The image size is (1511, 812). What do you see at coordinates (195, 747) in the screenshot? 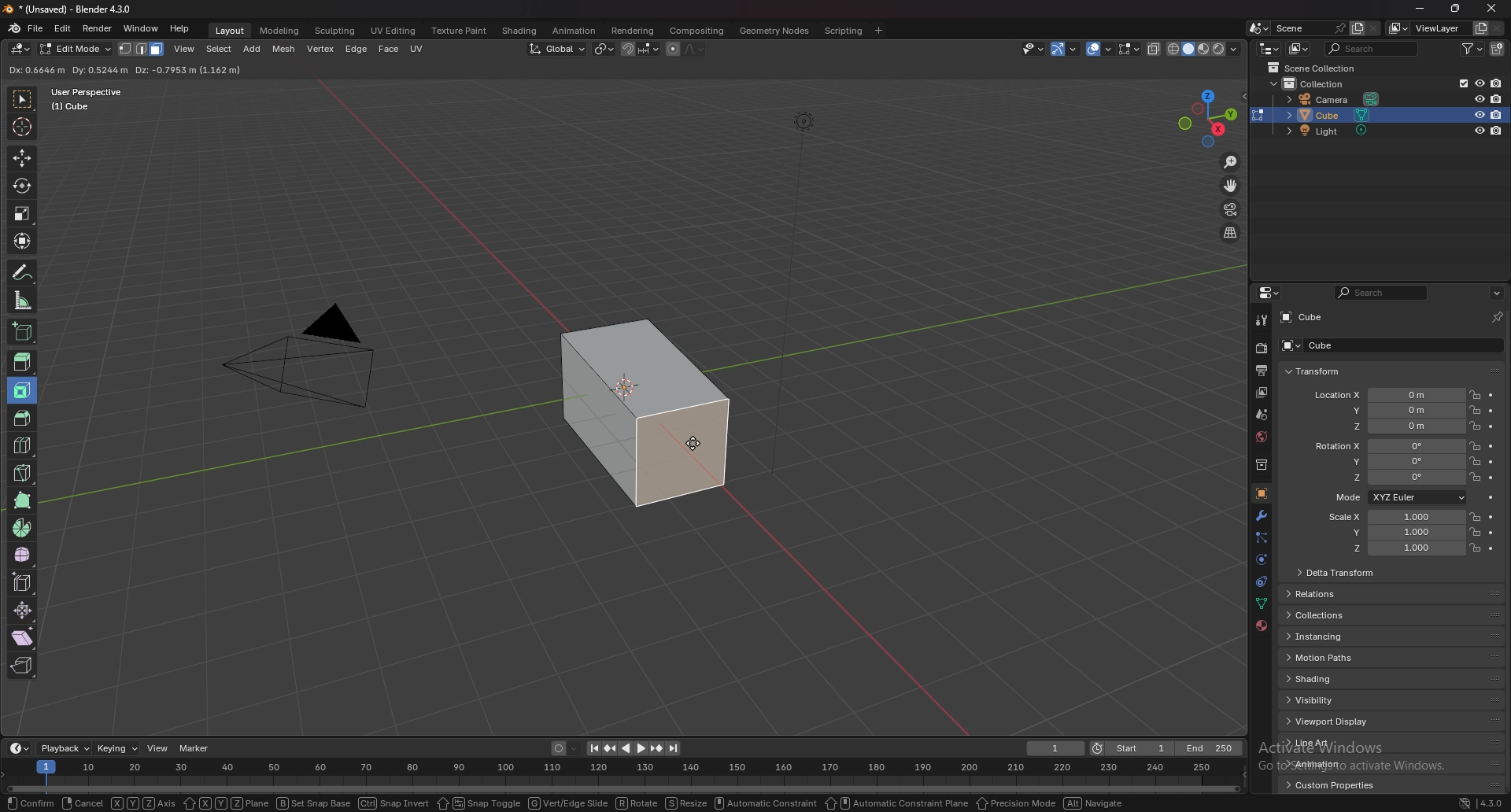
I see `marker` at bounding box center [195, 747].